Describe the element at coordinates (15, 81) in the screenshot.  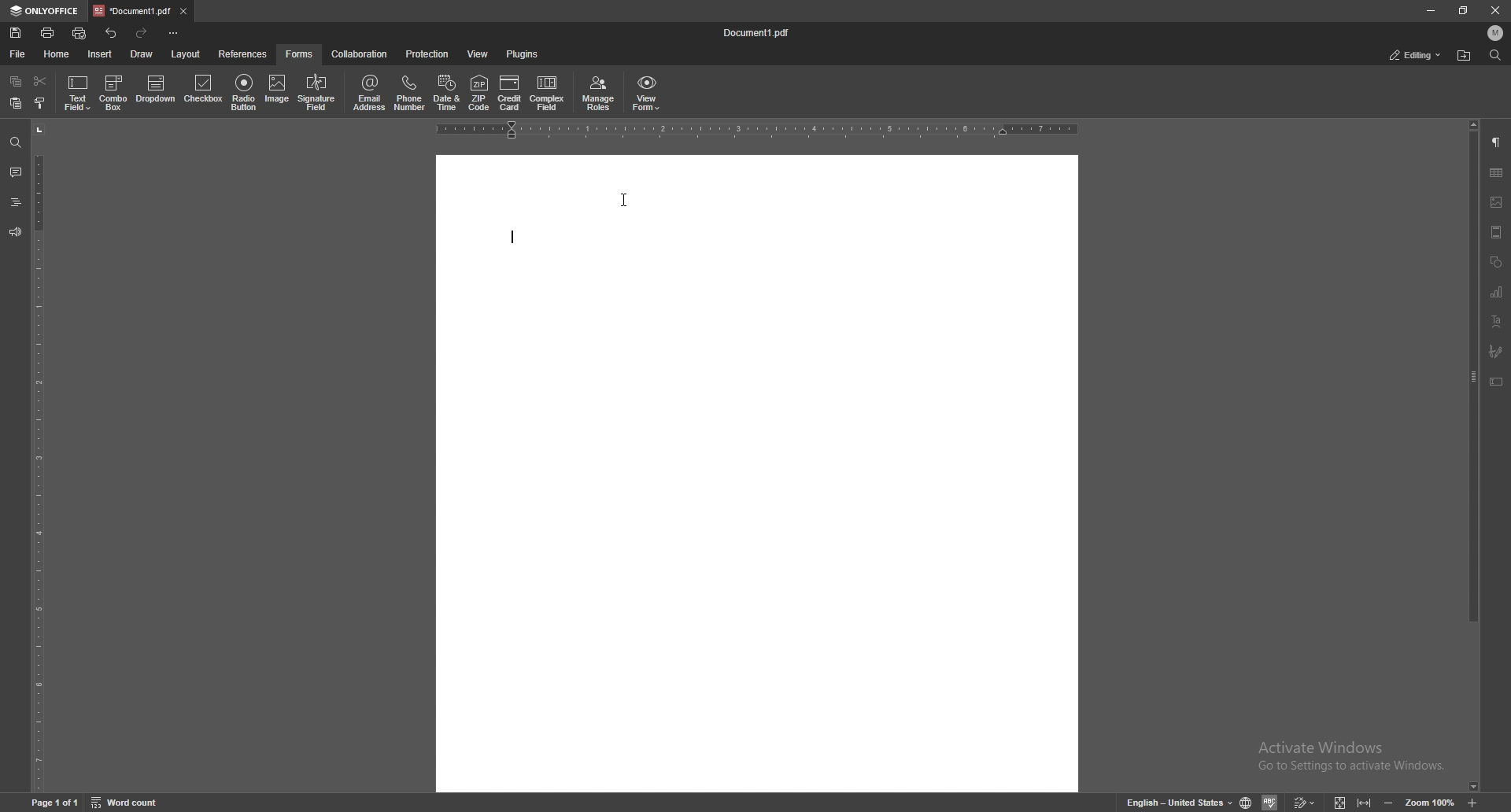
I see `copy` at that location.